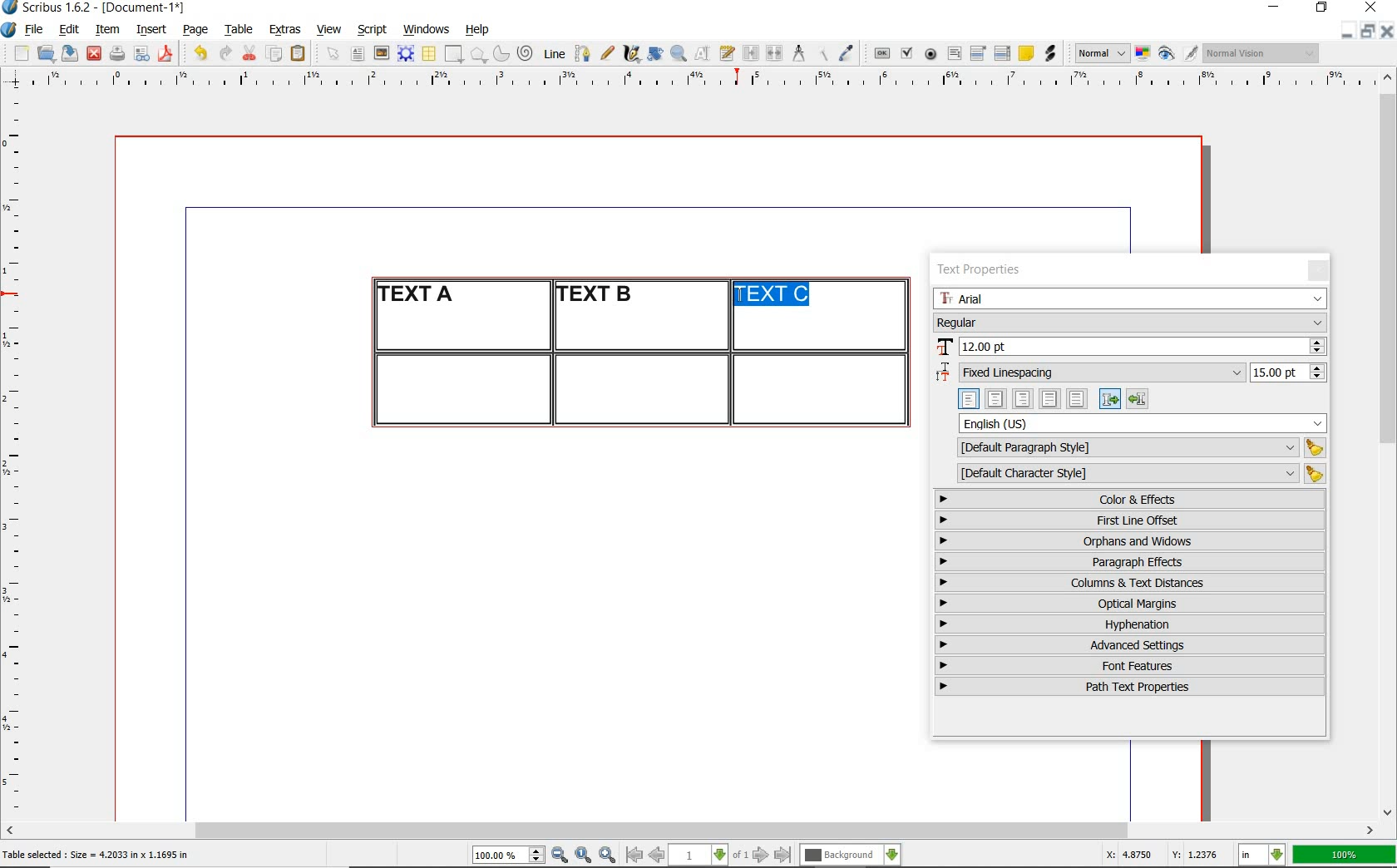 The width and height of the screenshot is (1397, 868). What do you see at coordinates (383, 53) in the screenshot?
I see `image frame` at bounding box center [383, 53].